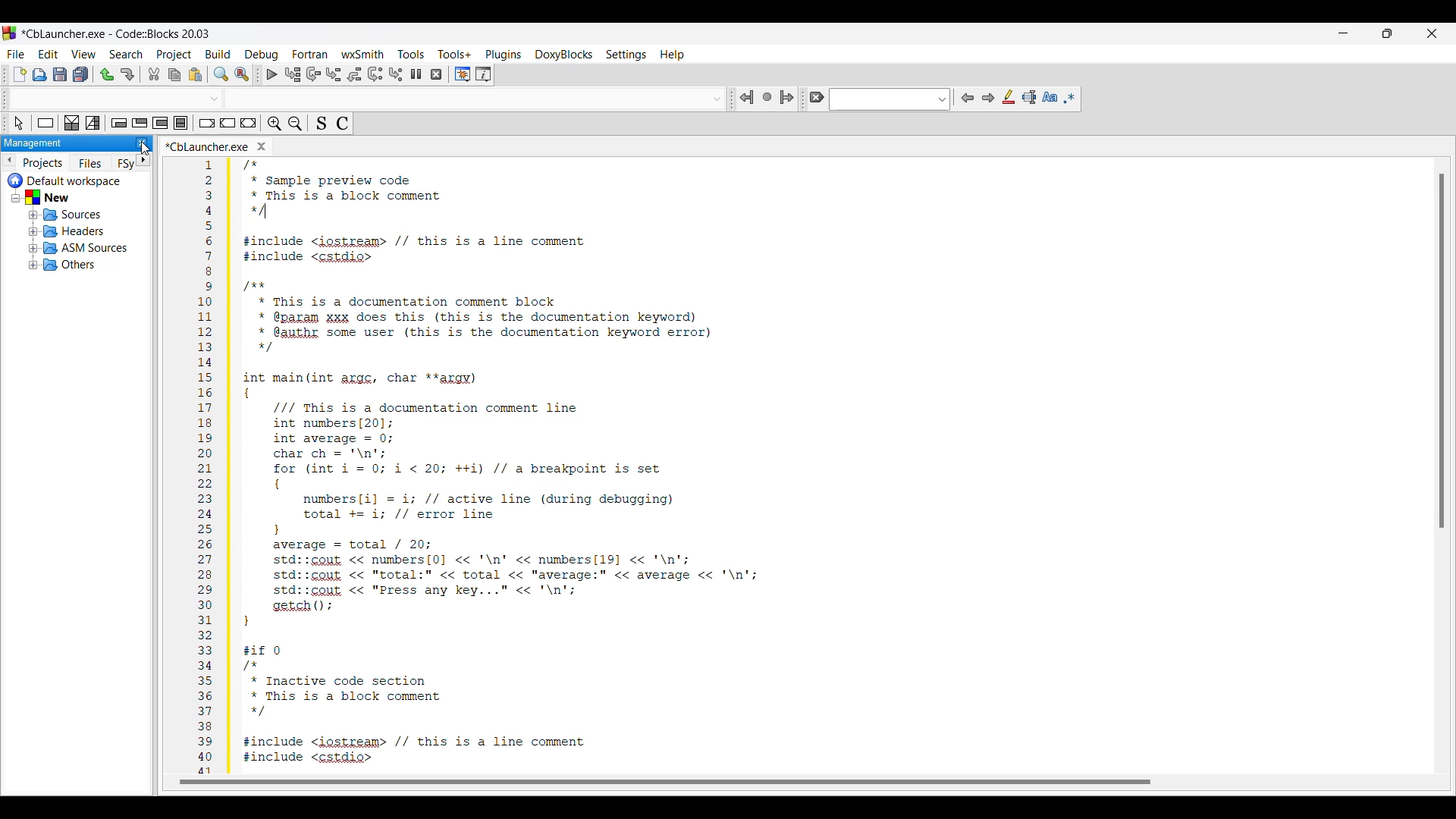  I want to click on Return instruction, so click(249, 123).